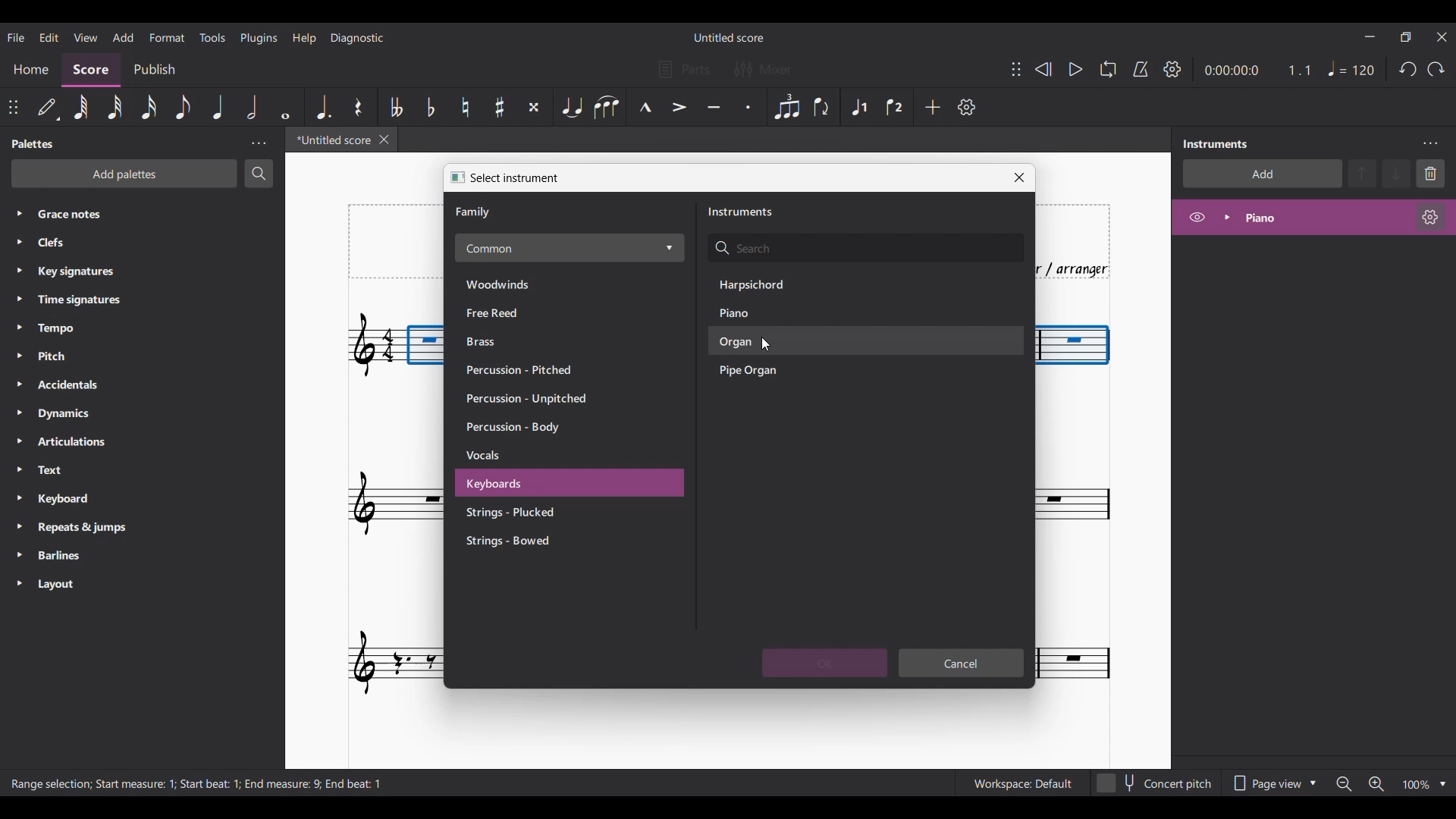  Describe the element at coordinates (513, 283) in the screenshot. I see `Woodwinds` at that location.